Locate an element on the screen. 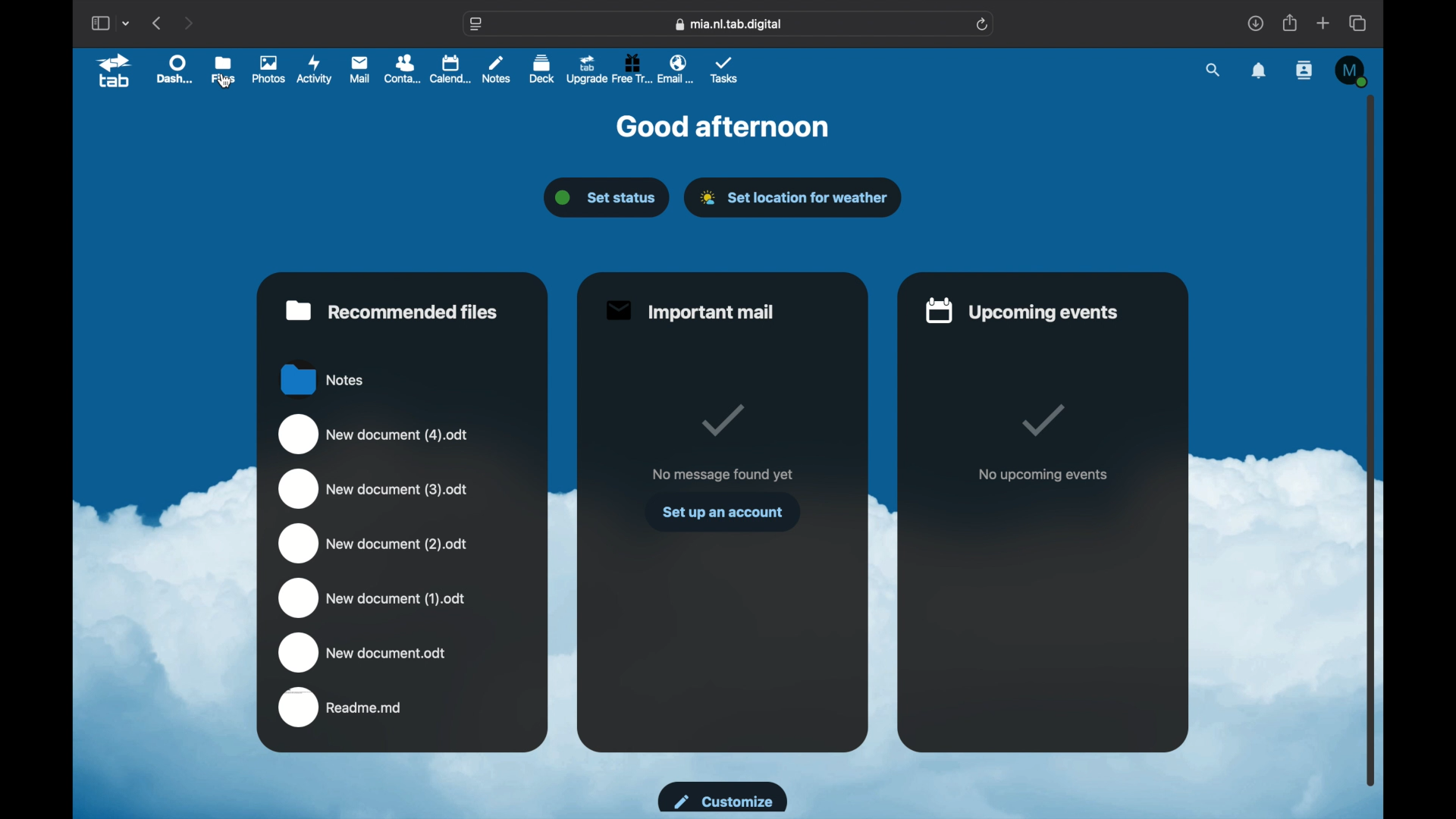 The image size is (1456, 819). contacts is located at coordinates (1306, 70).